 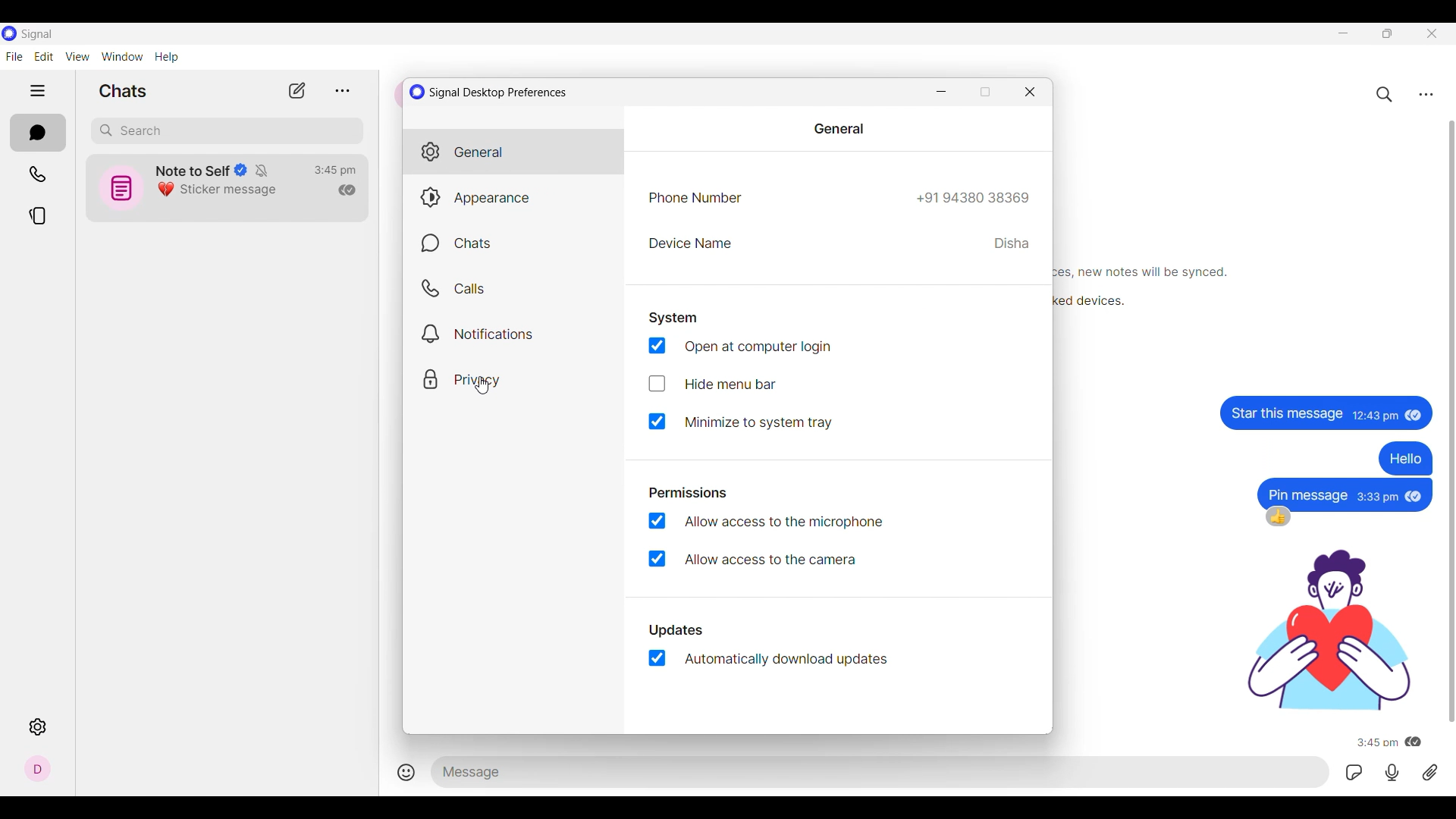 What do you see at coordinates (1414, 740) in the screenshot?
I see `message has been read` at bounding box center [1414, 740].